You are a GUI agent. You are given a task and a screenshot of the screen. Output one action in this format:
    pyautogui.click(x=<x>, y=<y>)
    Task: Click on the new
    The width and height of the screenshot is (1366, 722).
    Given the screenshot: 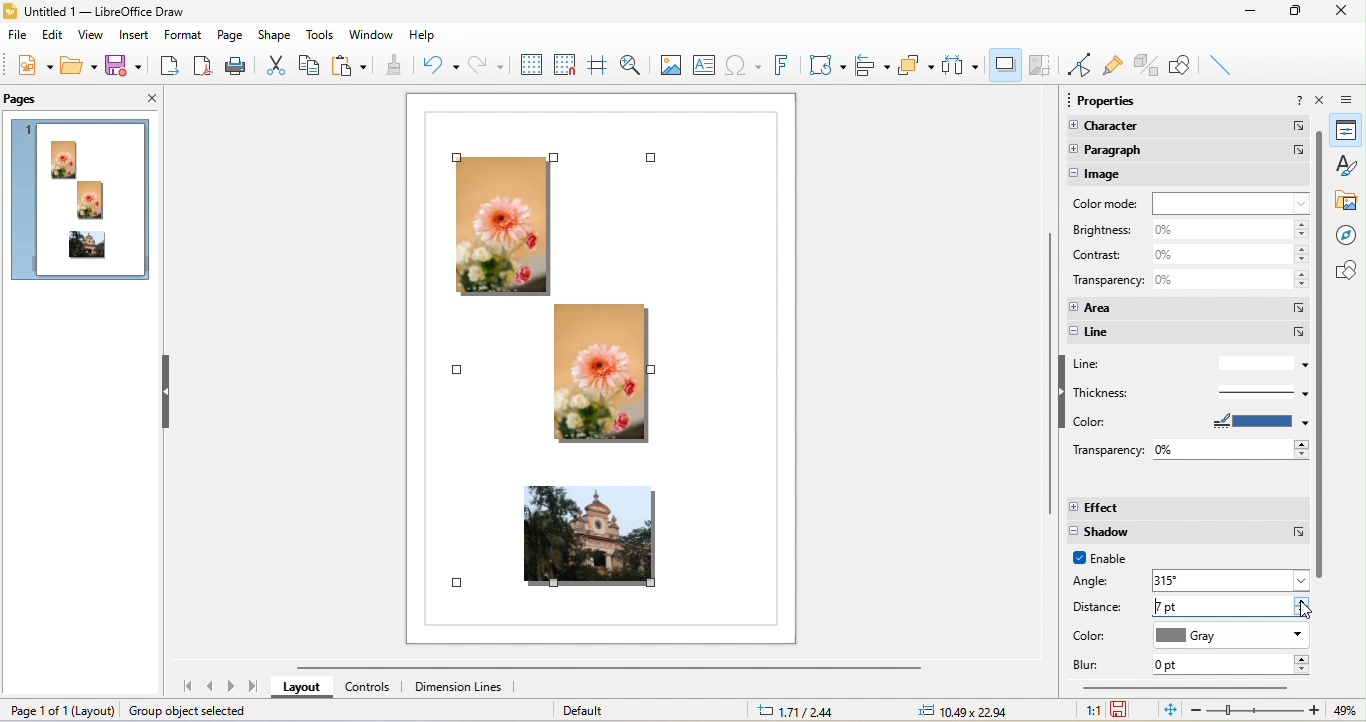 What is the action you would take?
    pyautogui.click(x=31, y=68)
    